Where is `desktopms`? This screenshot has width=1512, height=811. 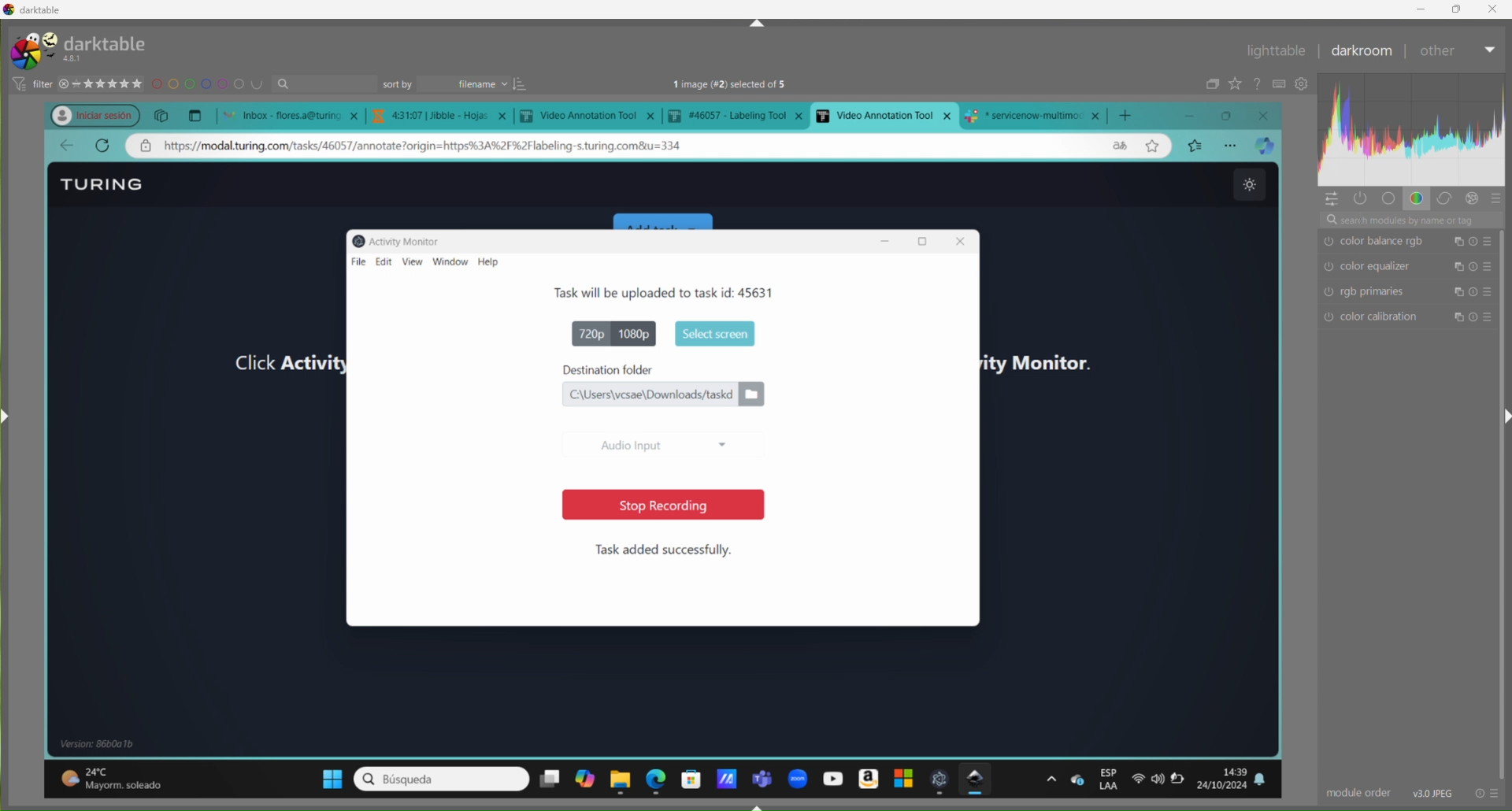
desktopms is located at coordinates (549, 779).